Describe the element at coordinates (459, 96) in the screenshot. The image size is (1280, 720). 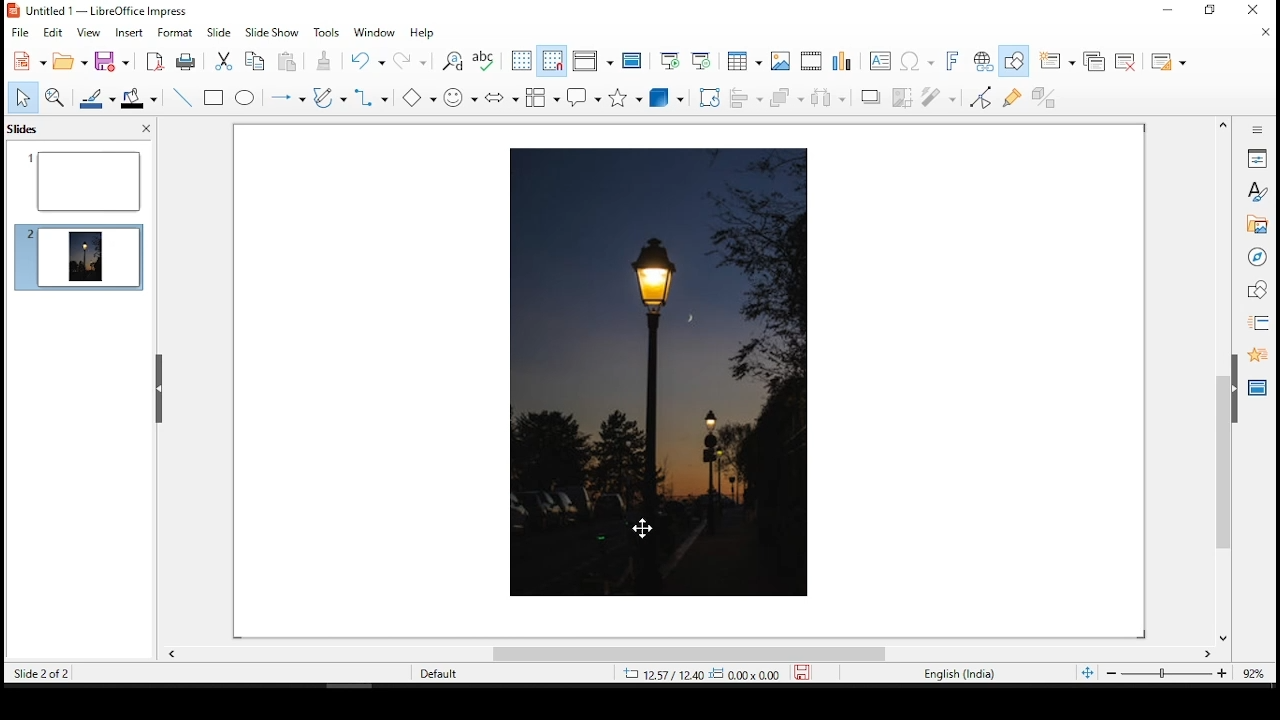
I see `symbol shapes` at that location.